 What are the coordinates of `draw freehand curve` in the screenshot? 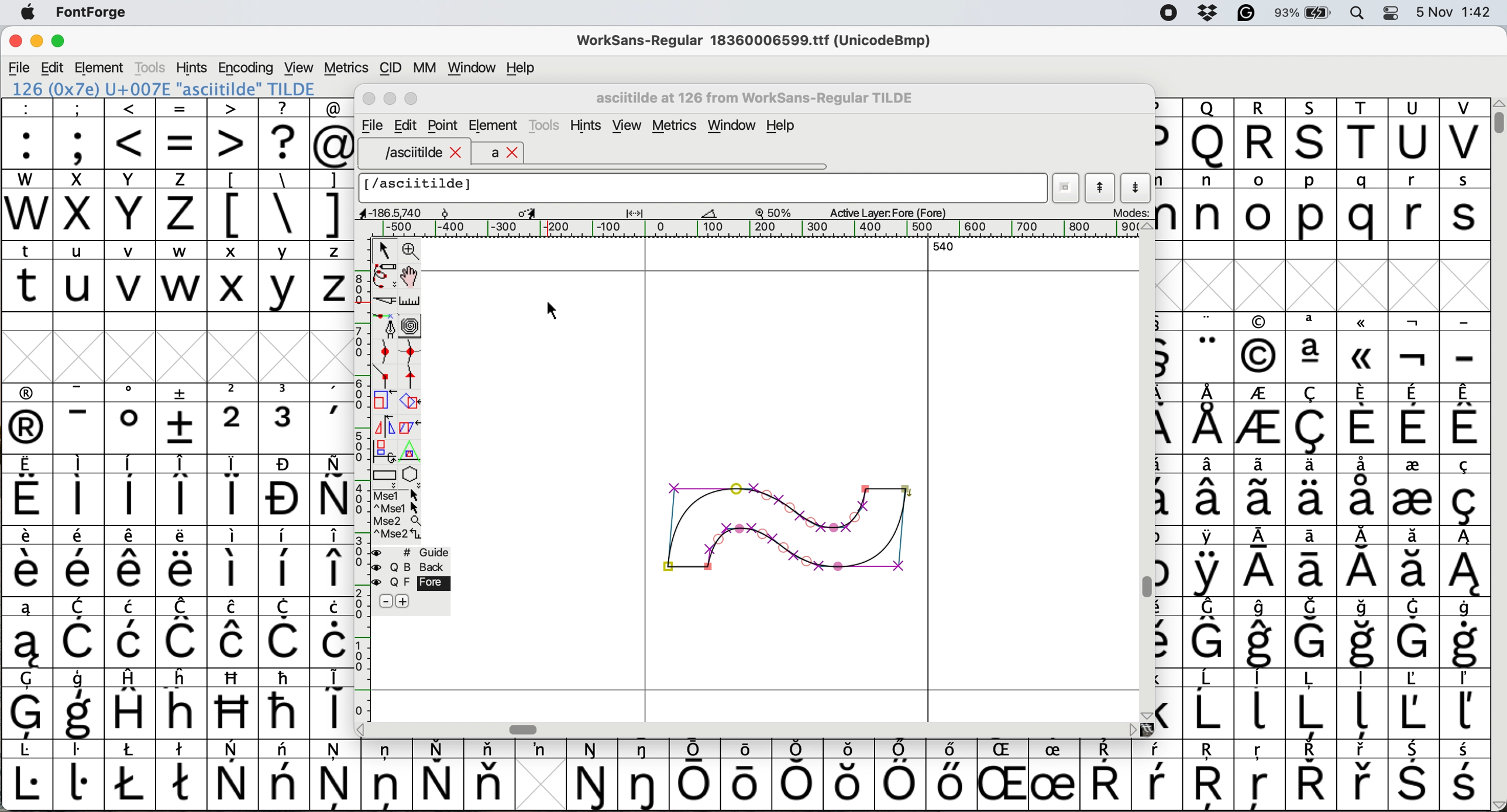 It's located at (384, 276).